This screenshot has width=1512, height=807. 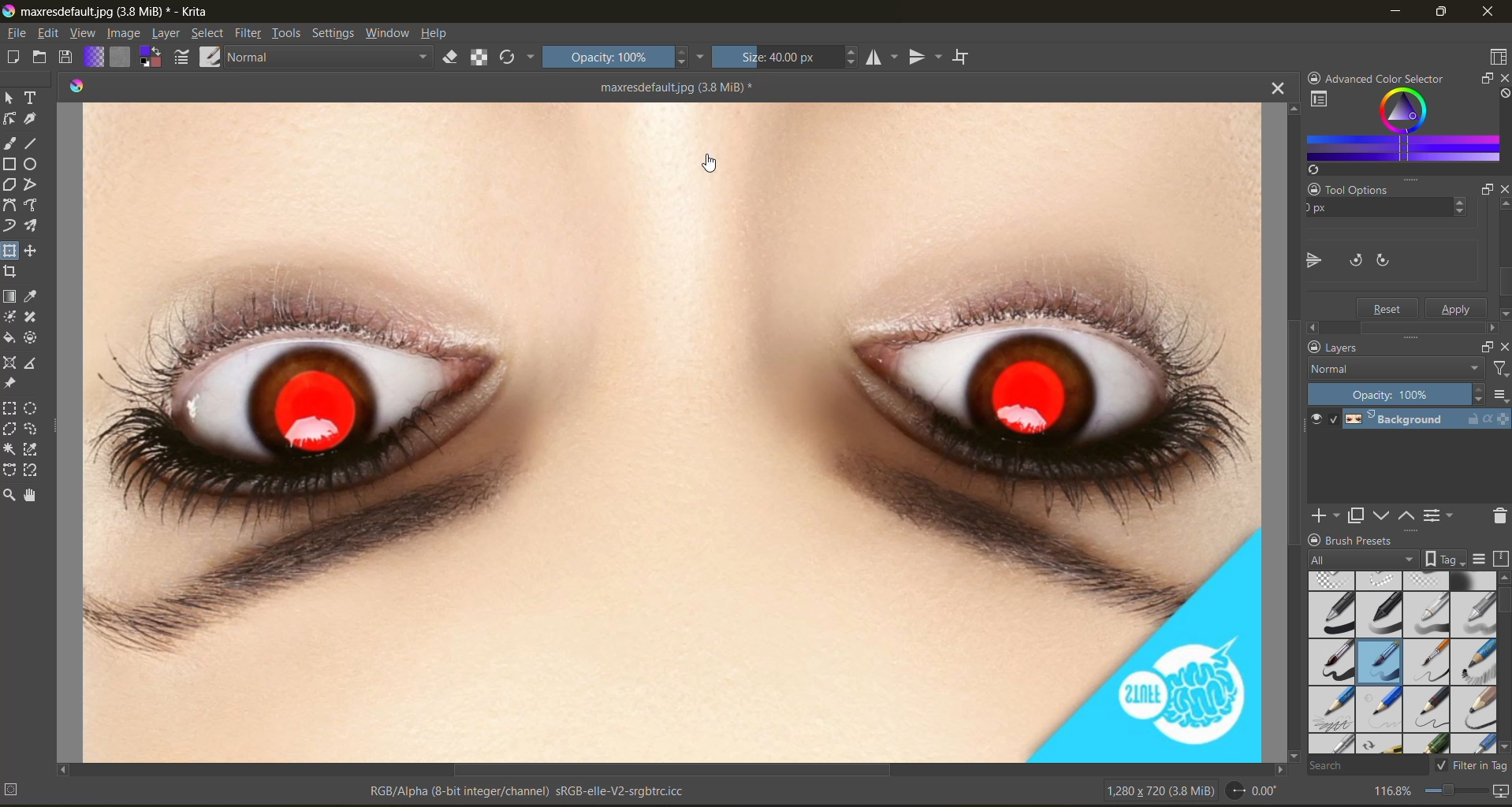 I want to click on tool, so click(x=32, y=98).